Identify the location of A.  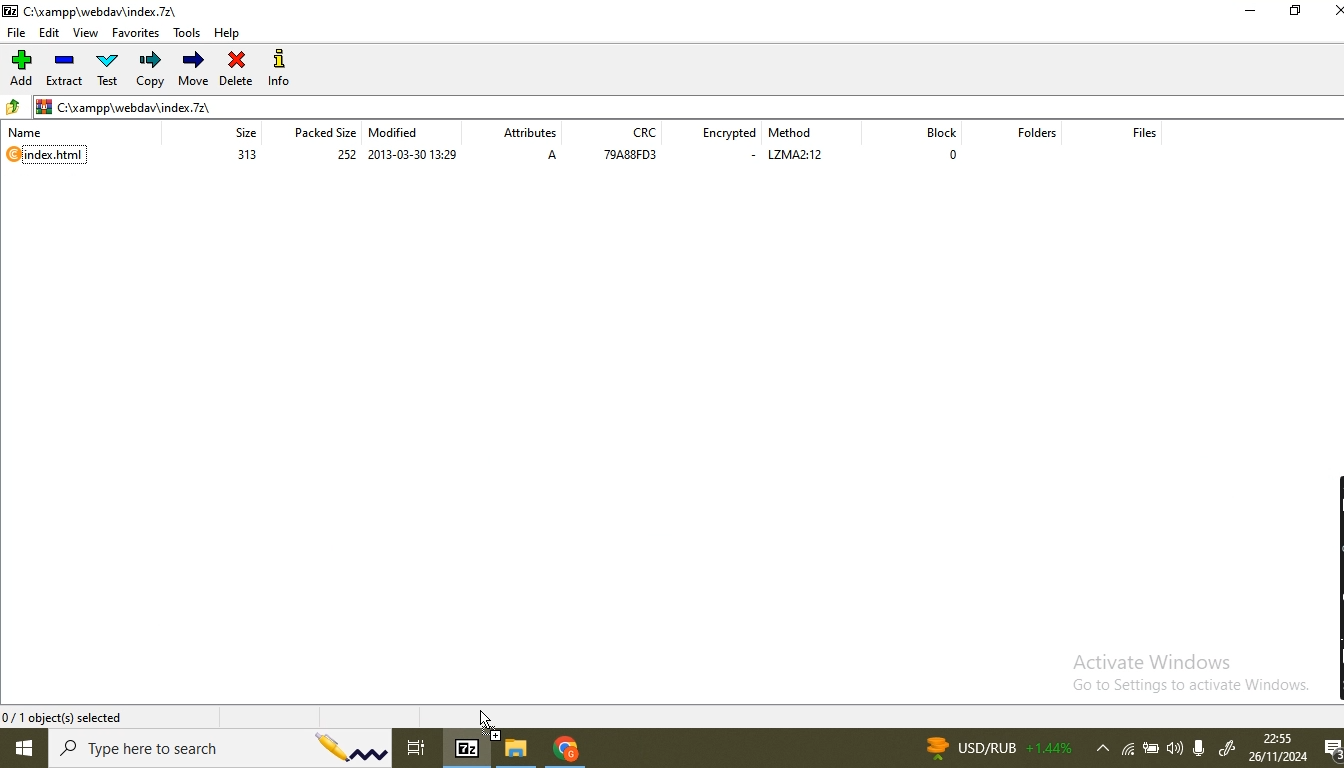
(553, 159).